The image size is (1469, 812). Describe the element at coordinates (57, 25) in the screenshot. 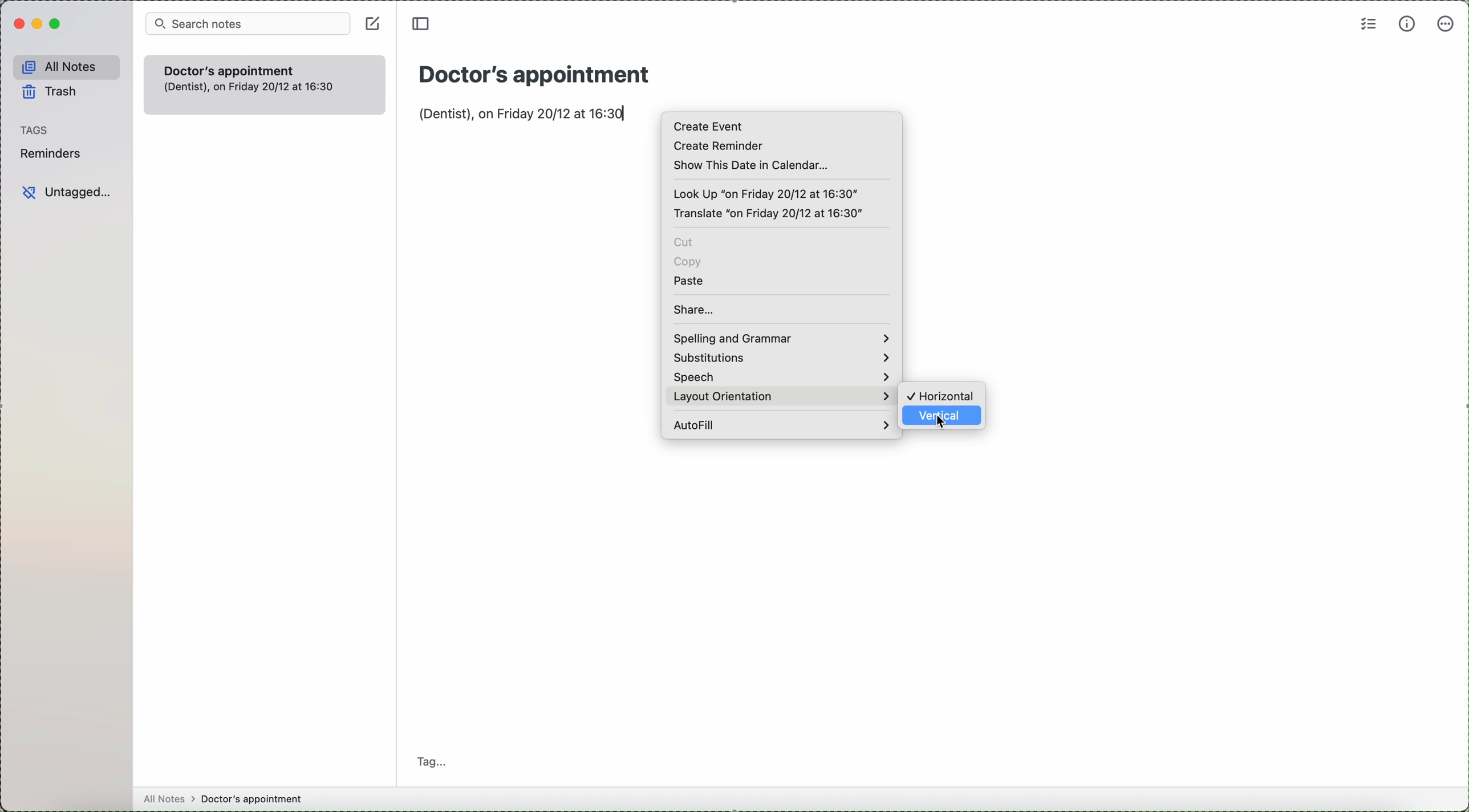

I see `maximize Simplenote` at that location.